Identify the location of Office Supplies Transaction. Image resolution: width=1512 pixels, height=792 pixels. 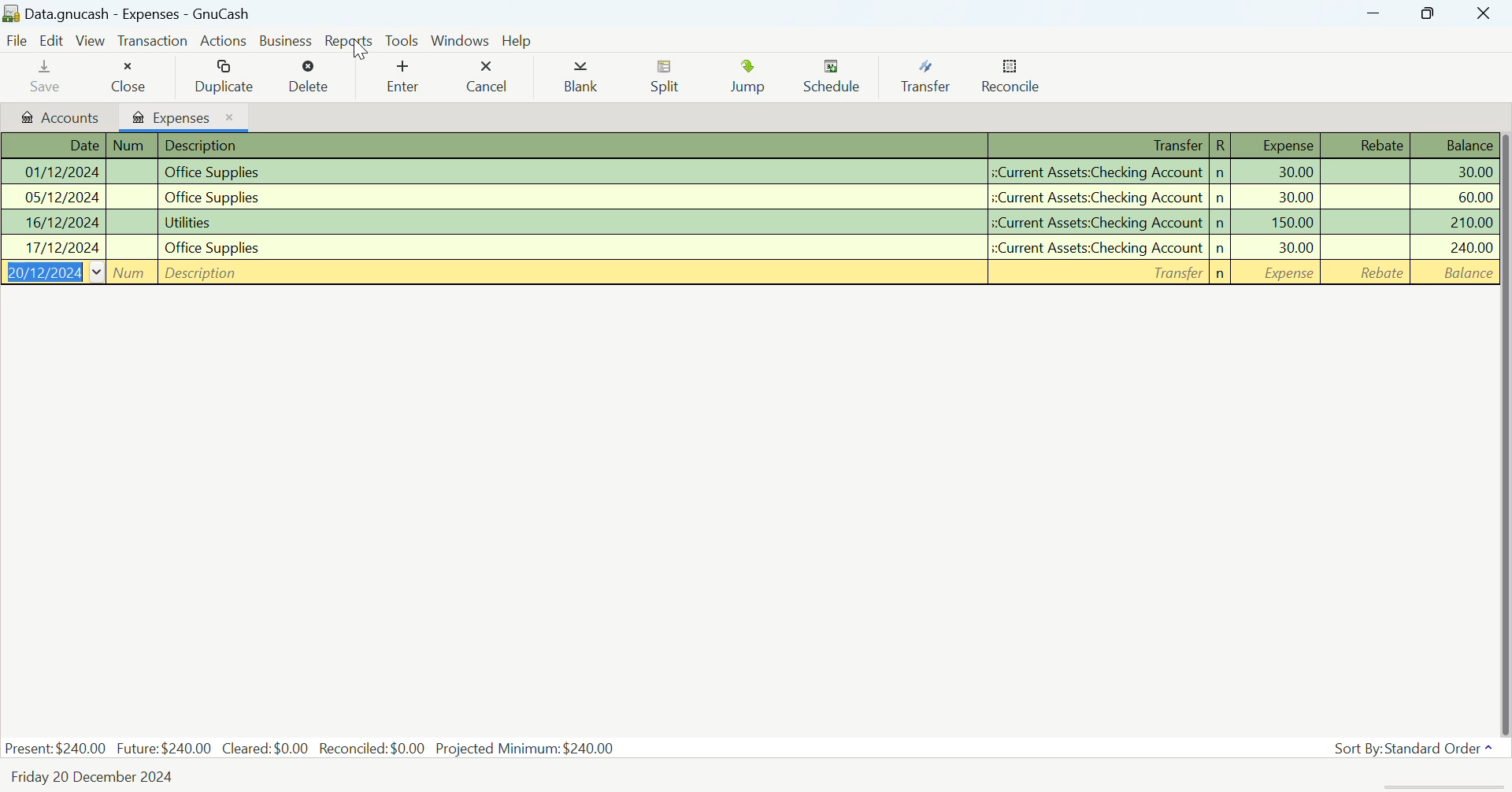
(748, 247).